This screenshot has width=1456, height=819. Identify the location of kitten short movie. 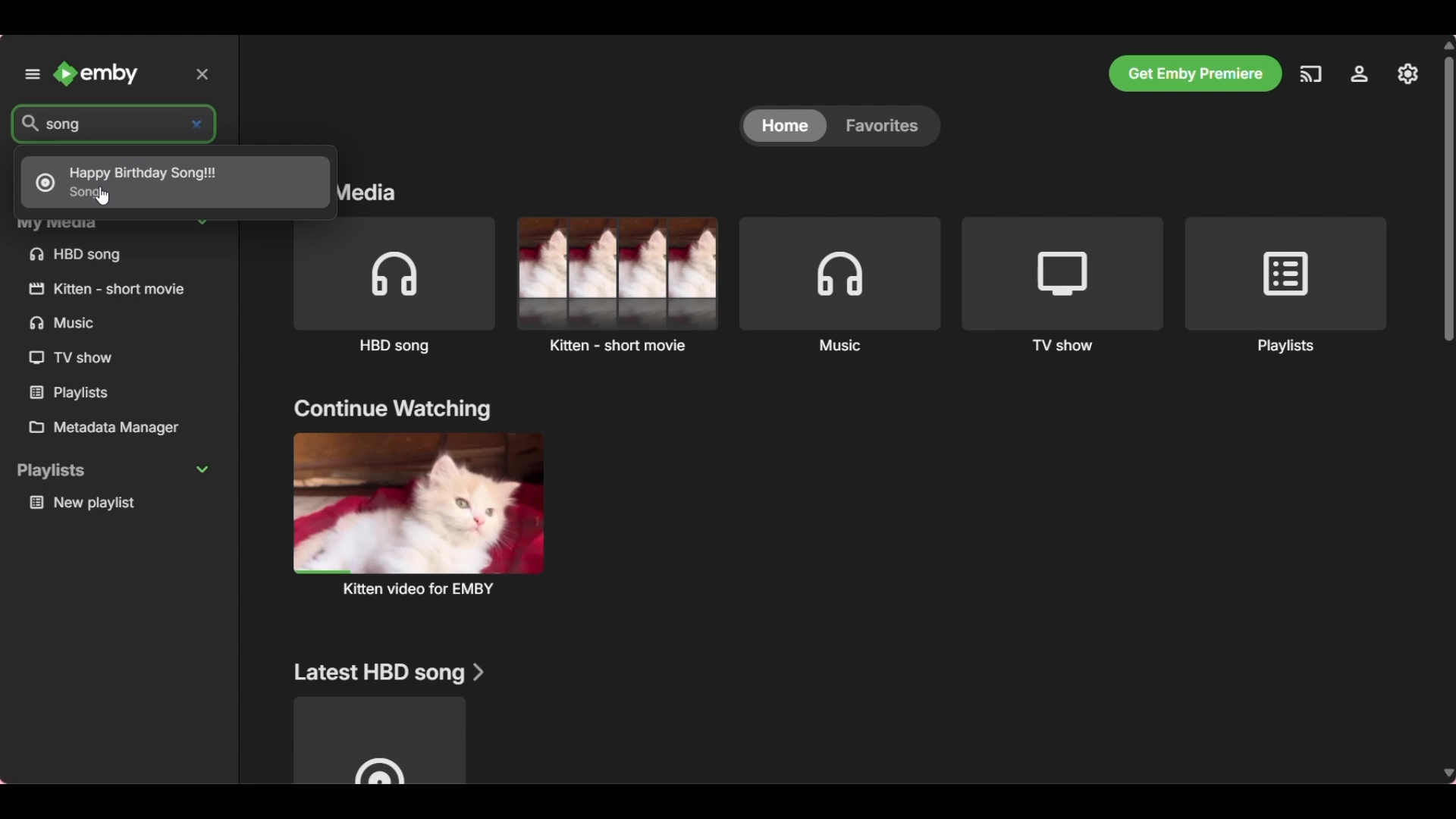
(111, 288).